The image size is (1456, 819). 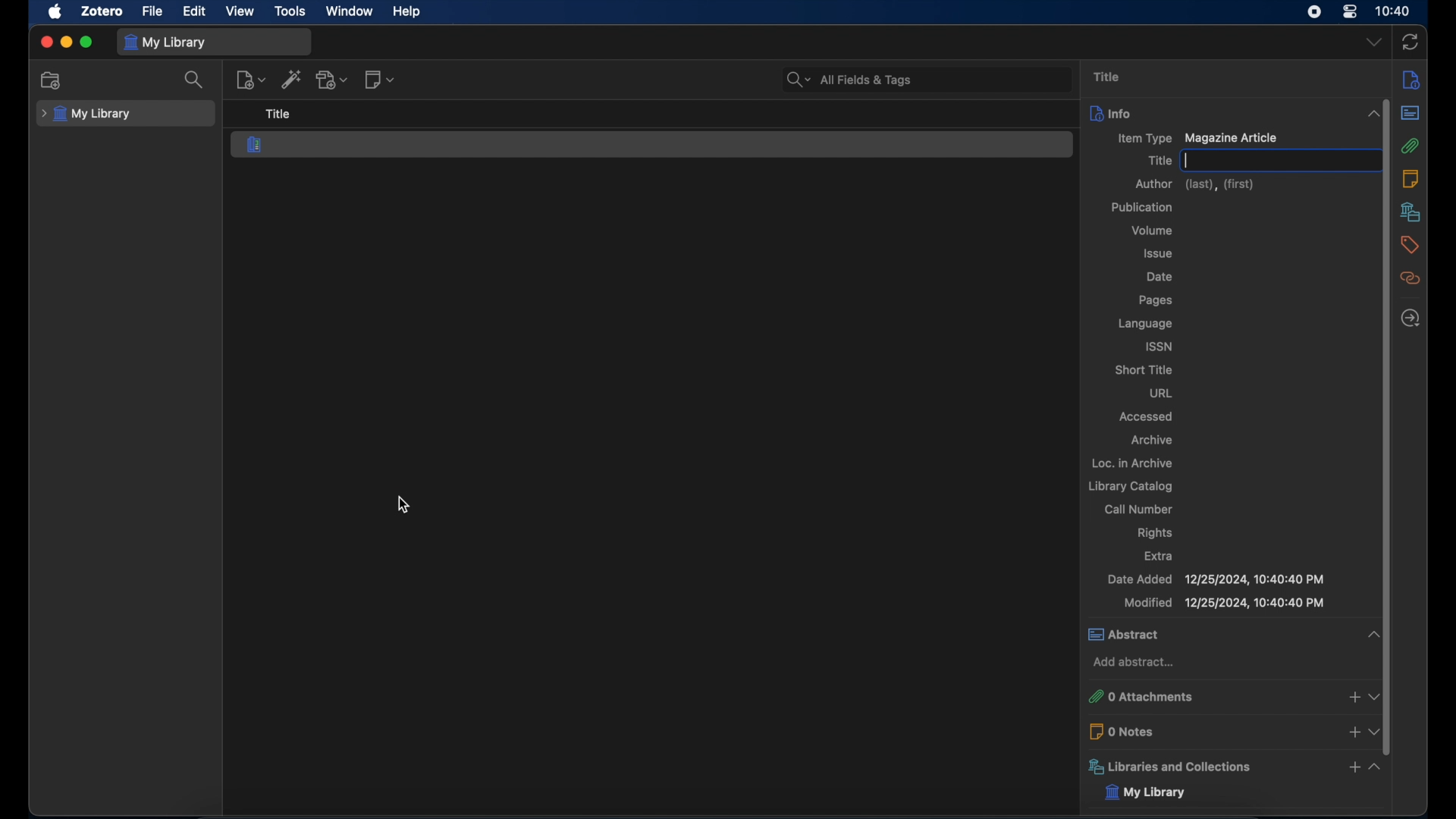 What do you see at coordinates (1414, 178) in the screenshot?
I see `notes` at bounding box center [1414, 178].